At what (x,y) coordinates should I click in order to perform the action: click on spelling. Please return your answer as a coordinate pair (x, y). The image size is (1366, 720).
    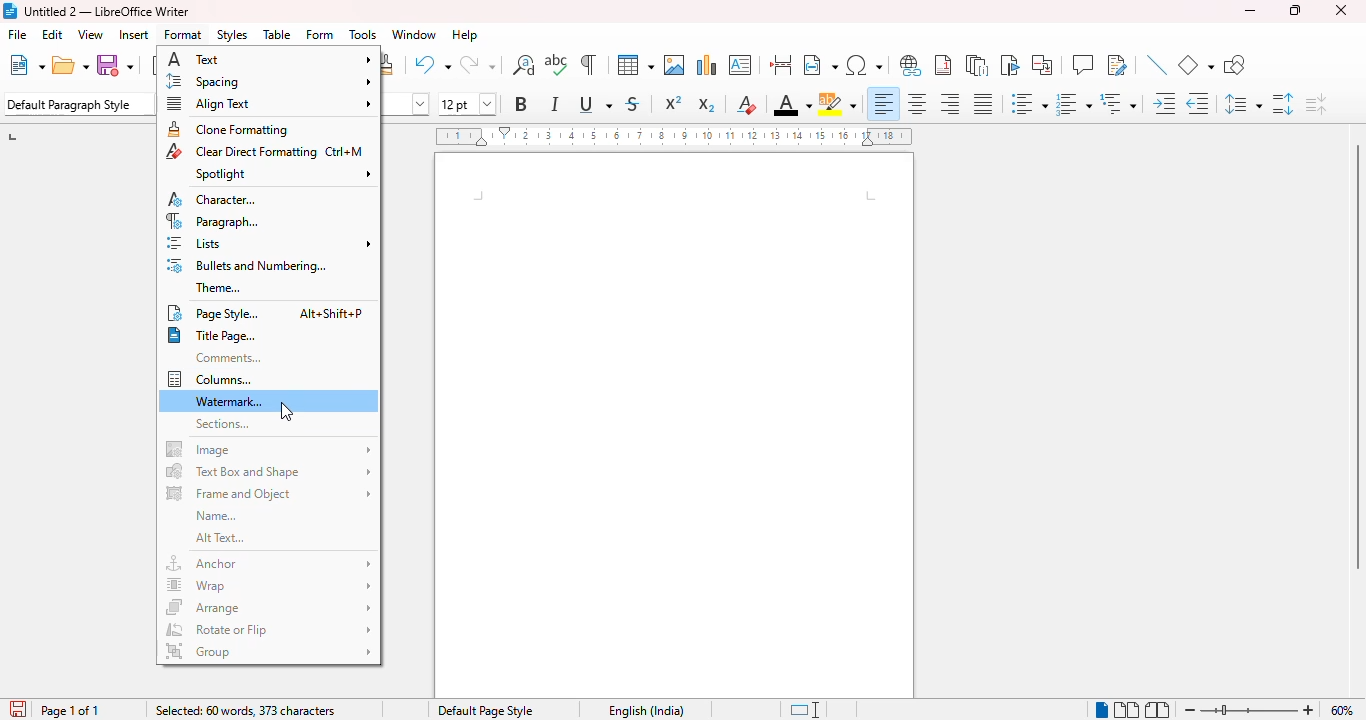
    Looking at the image, I should click on (557, 65).